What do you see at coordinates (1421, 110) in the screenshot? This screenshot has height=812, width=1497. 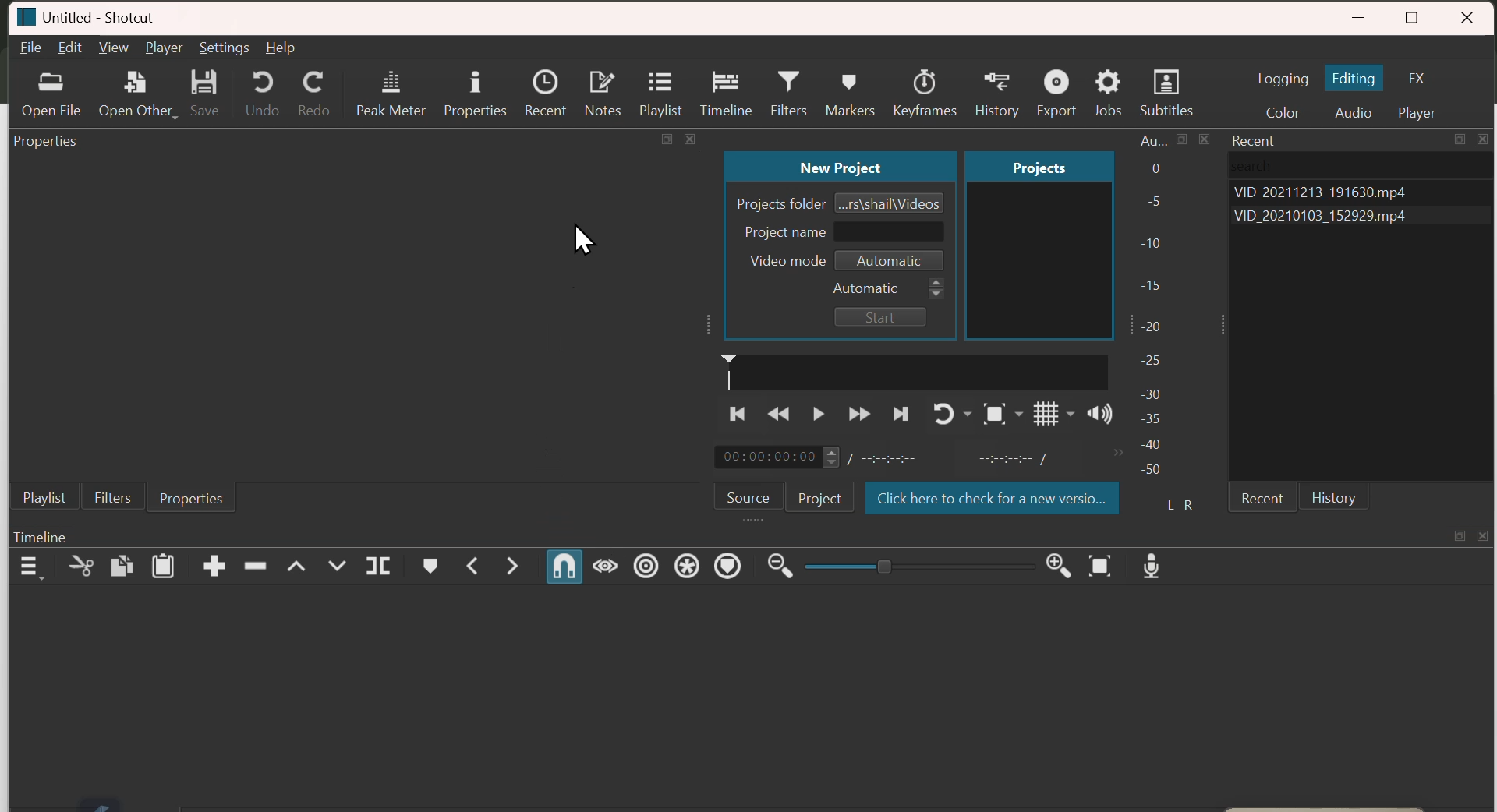 I see `Player` at bounding box center [1421, 110].